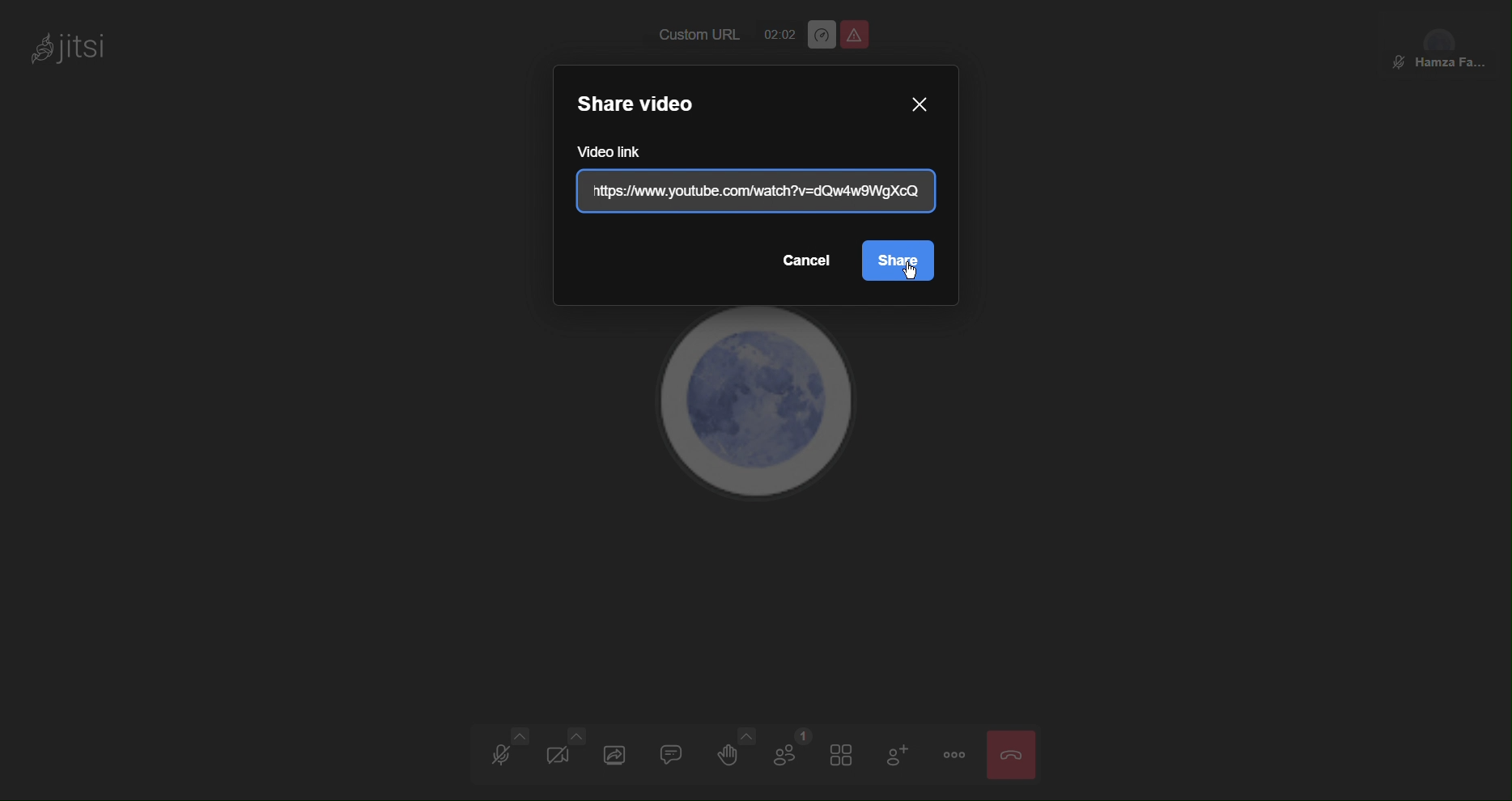  What do you see at coordinates (760, 415) in the screenshot?
I see `Account PFP` at bounding box center [760, 415].